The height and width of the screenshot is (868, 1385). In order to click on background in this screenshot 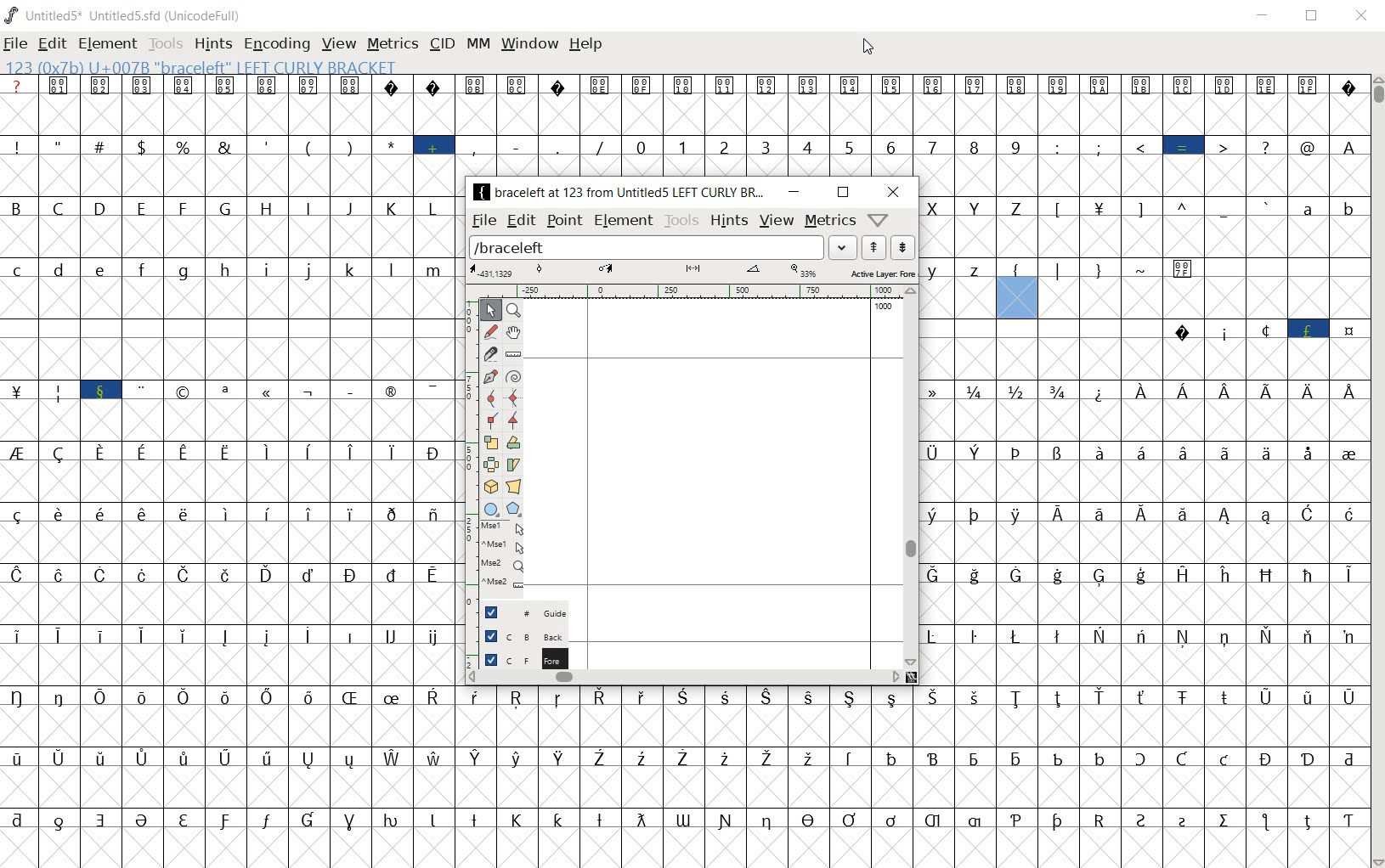, I will do `click(516, 635)`.